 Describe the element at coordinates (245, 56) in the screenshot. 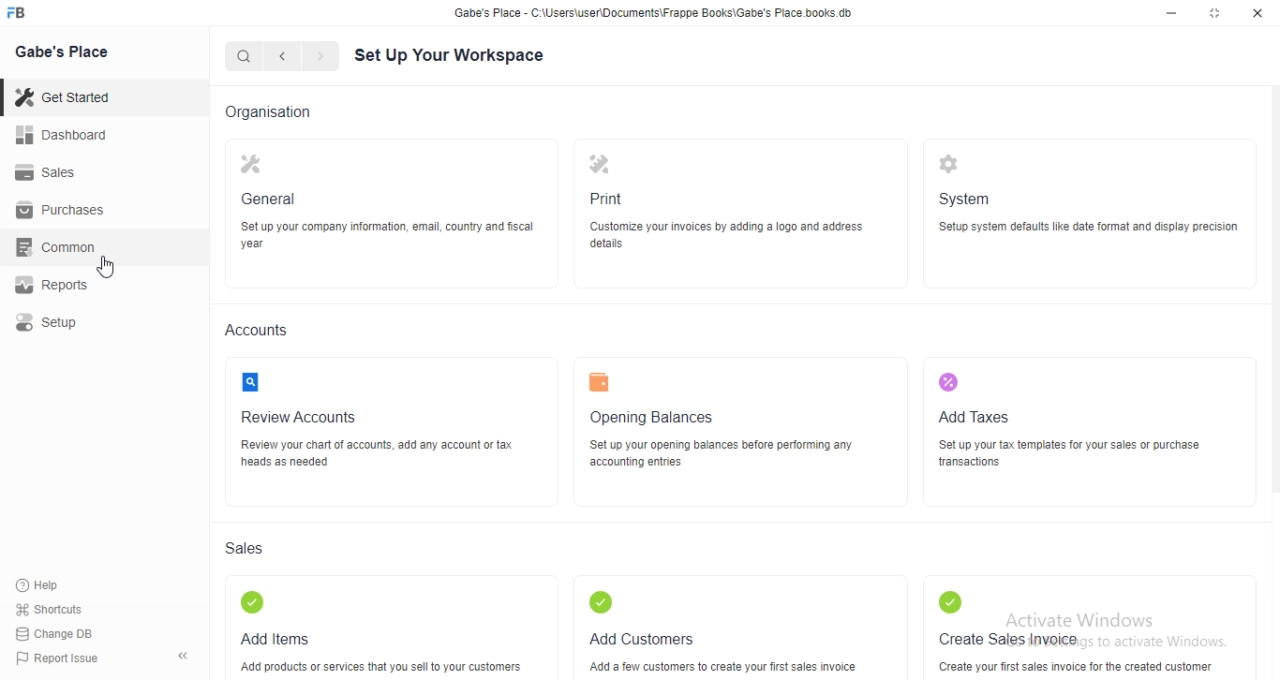

I see `search` at that location.